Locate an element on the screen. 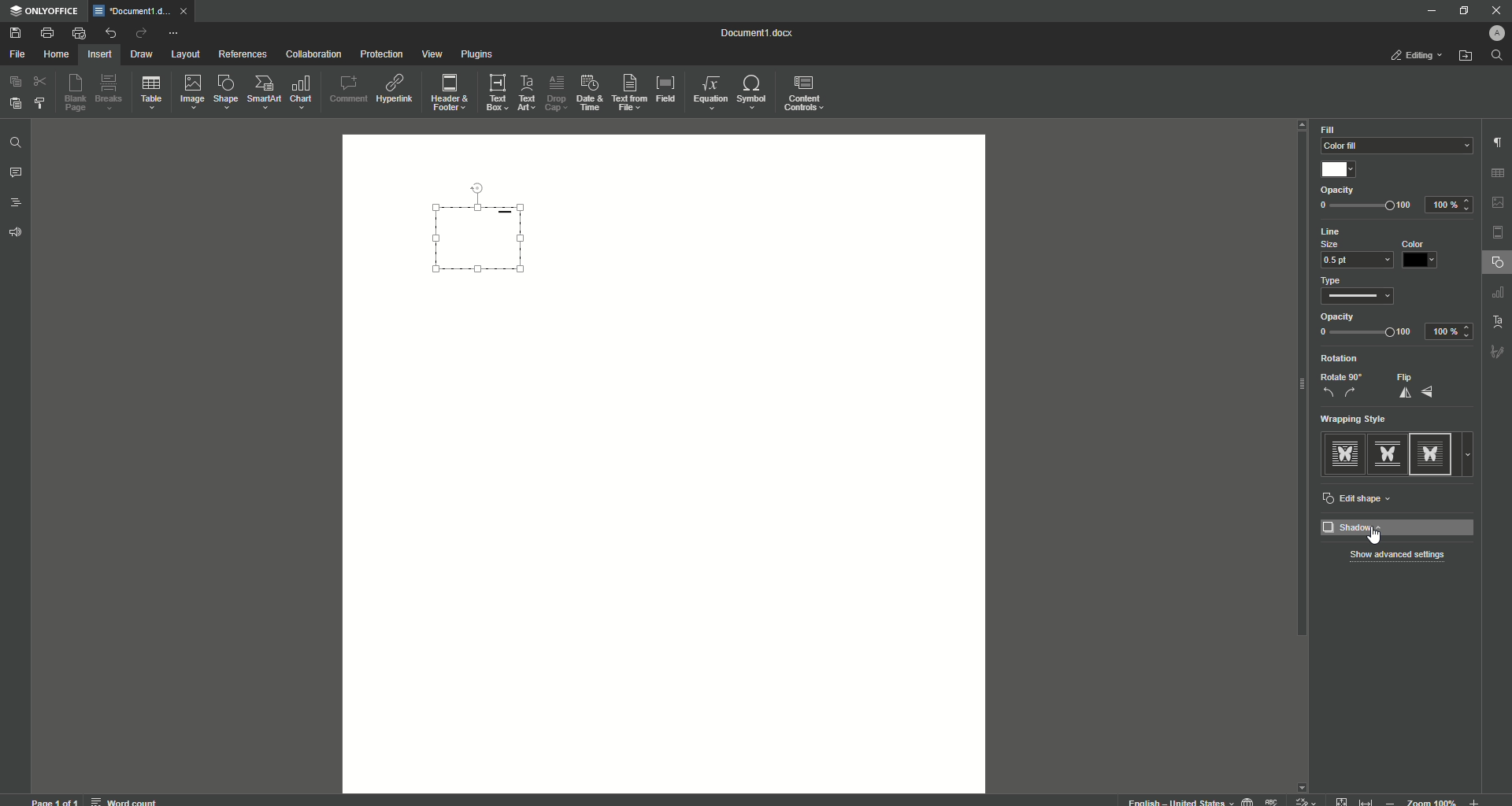 The image size is (1512, 806). Black  Color is located at coordinates (1421, 255).